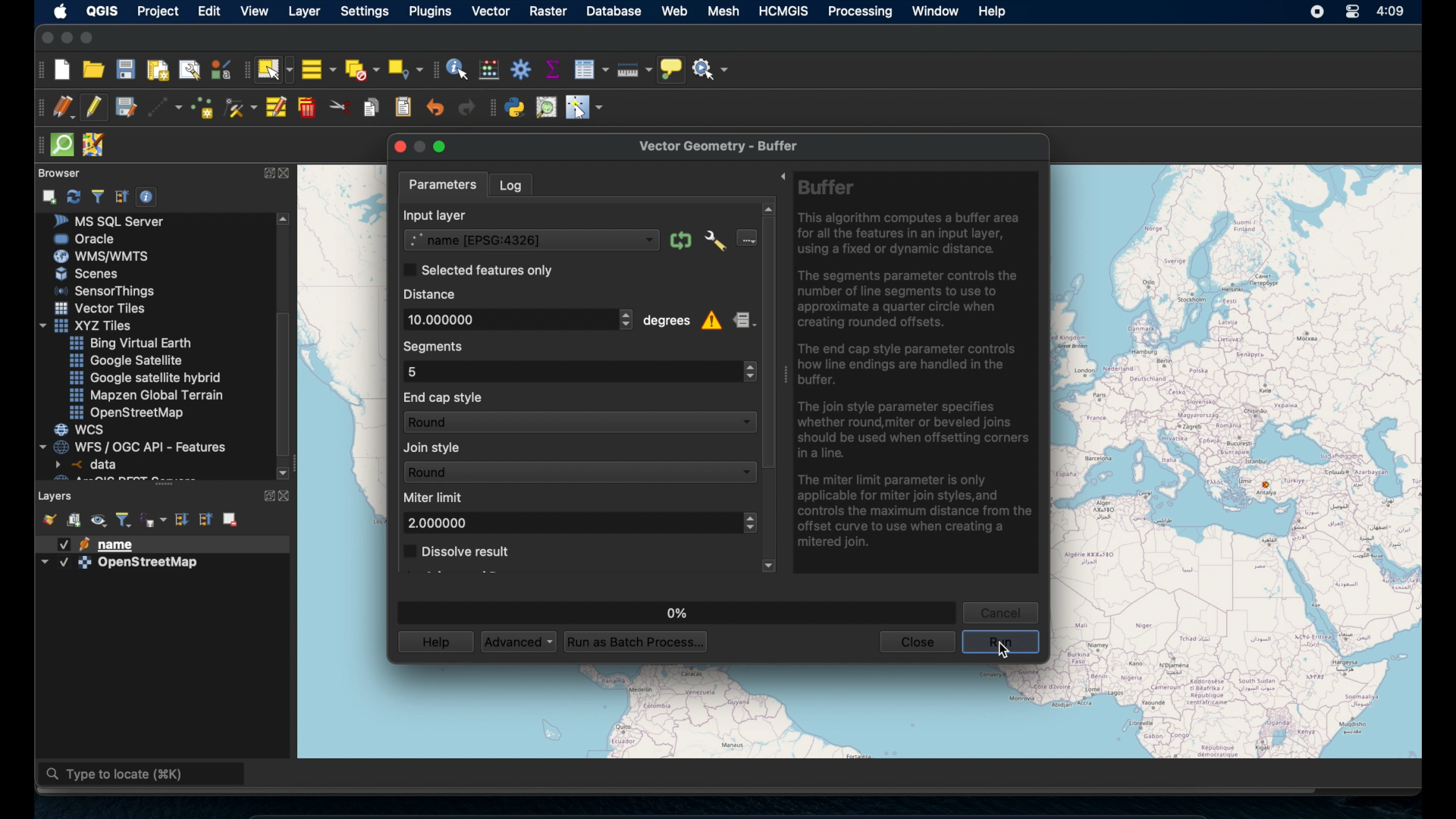 This screenshot has height=819, width=1456. What do you see at coordinates (101, 256) in the screenshot?
I see `wms/wmts` at bounding box center [101, 256].